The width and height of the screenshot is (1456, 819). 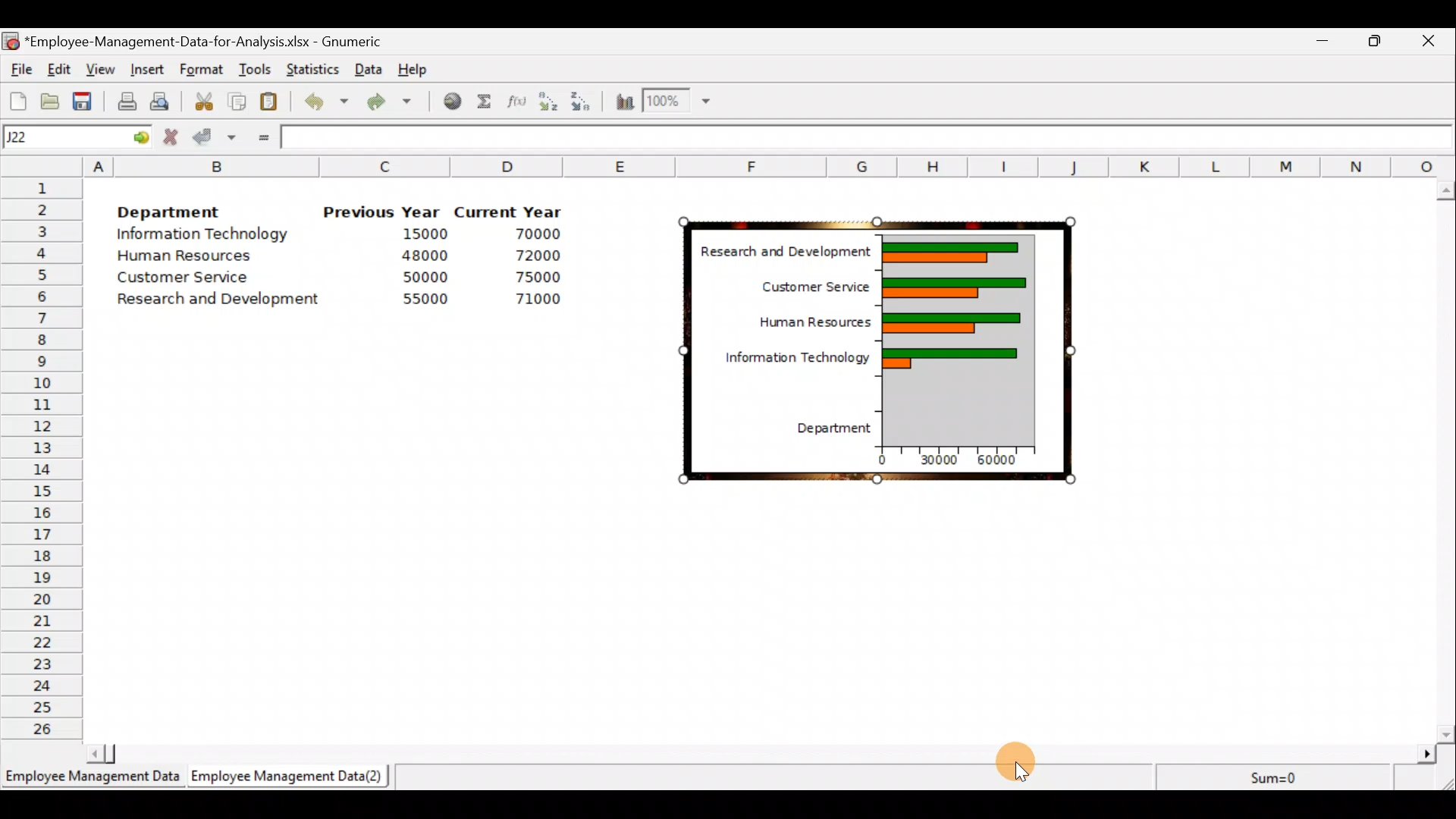 I want to click on Sort in descending order, so click(x=584, y=102).